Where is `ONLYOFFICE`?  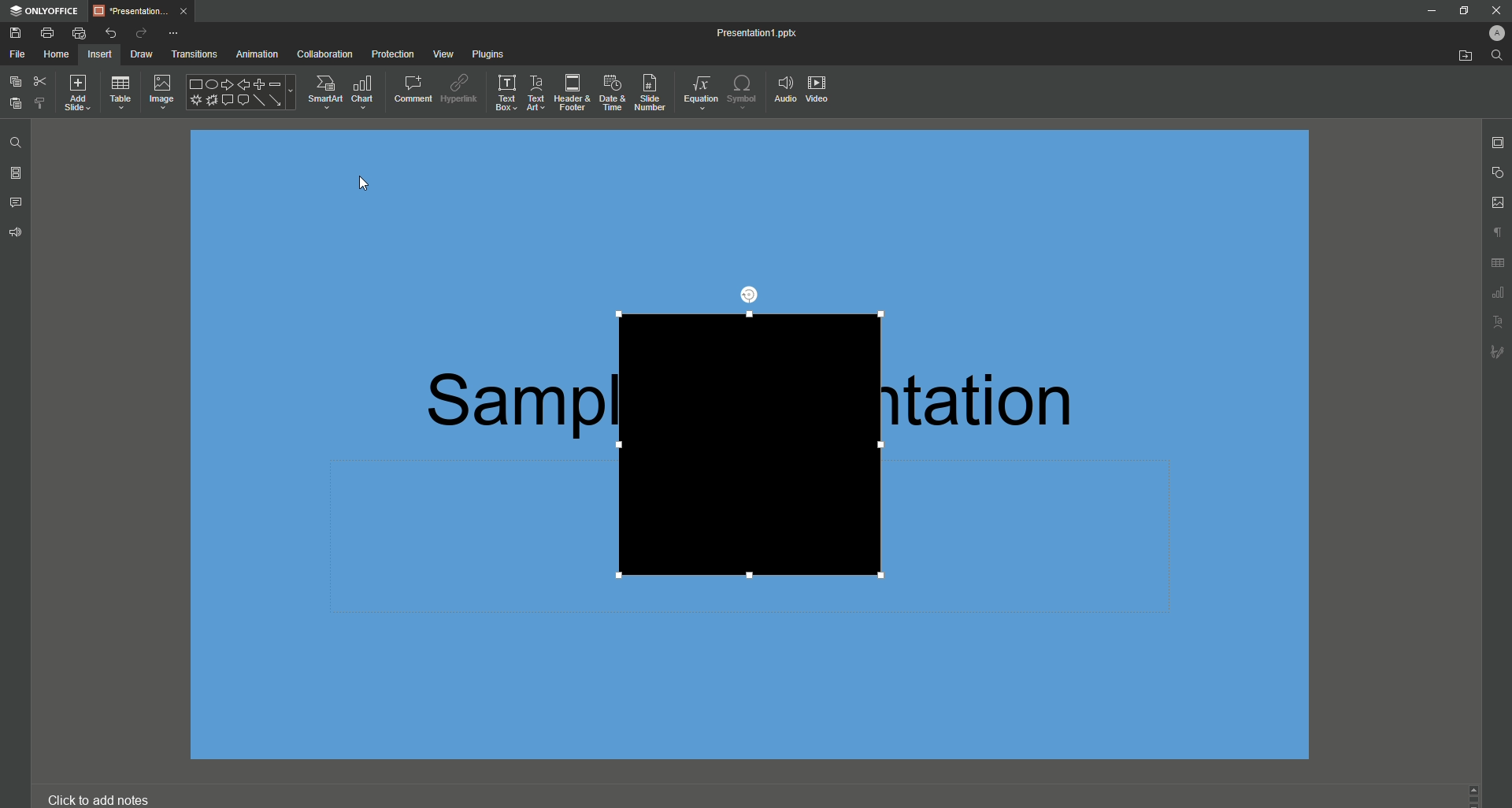
ONLYOFFICE is located at coordinates (45, 12).